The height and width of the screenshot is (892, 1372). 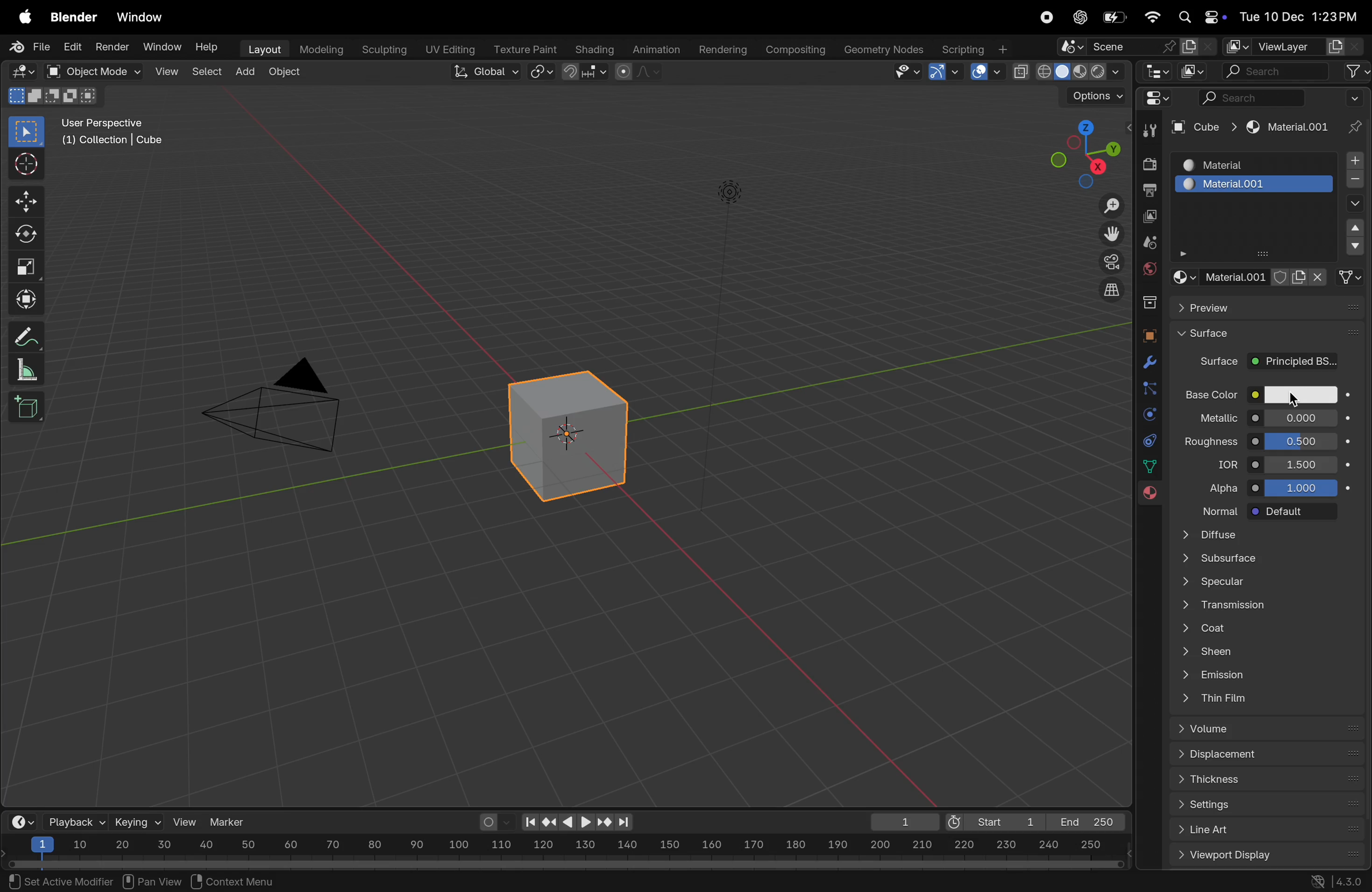 What do you see at coordinates (1272, 307) in the screenshot?
I see `preview` at bounding box center [1272, 307].